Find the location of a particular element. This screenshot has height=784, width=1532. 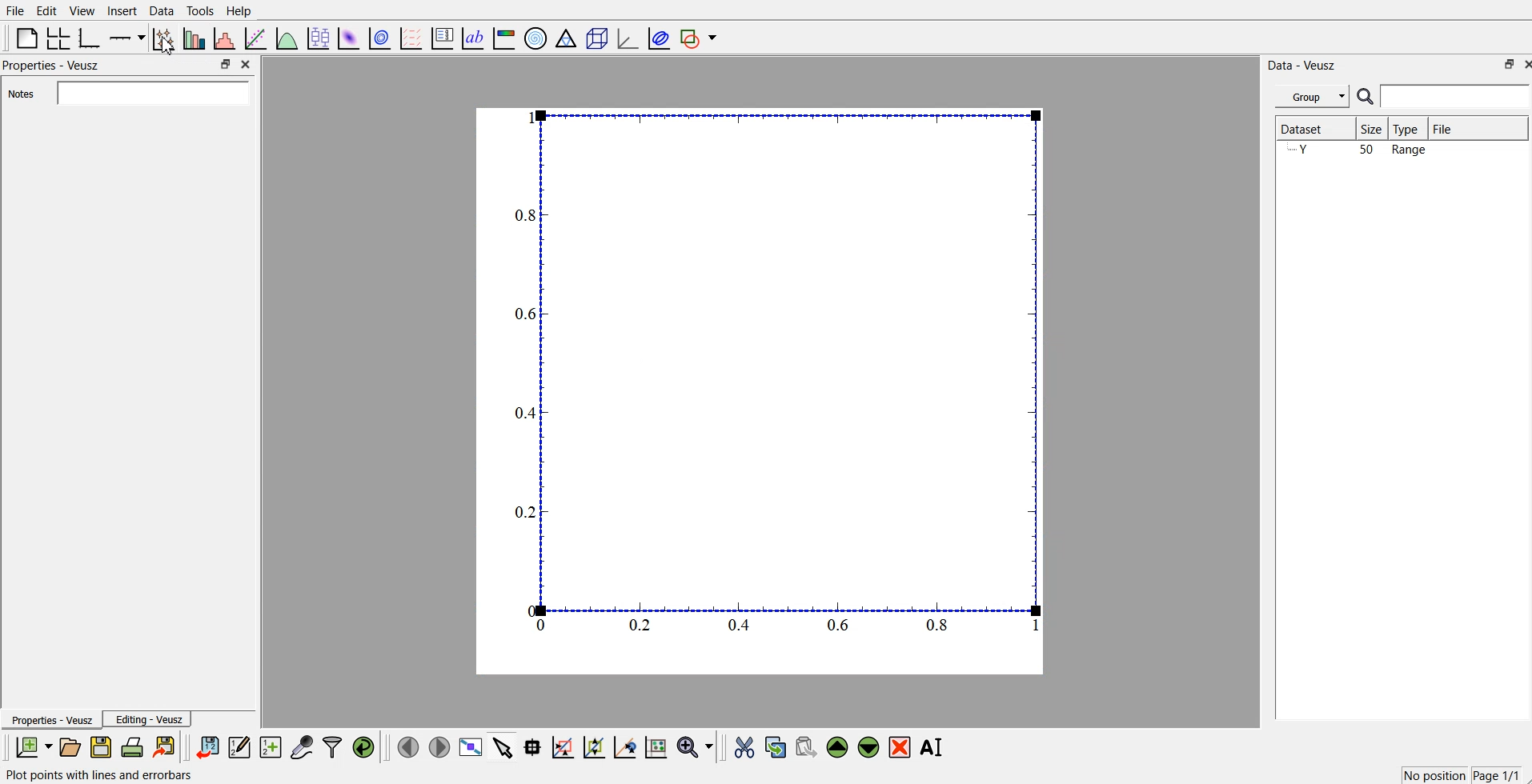

blank page is located at coordinates (24, 38).